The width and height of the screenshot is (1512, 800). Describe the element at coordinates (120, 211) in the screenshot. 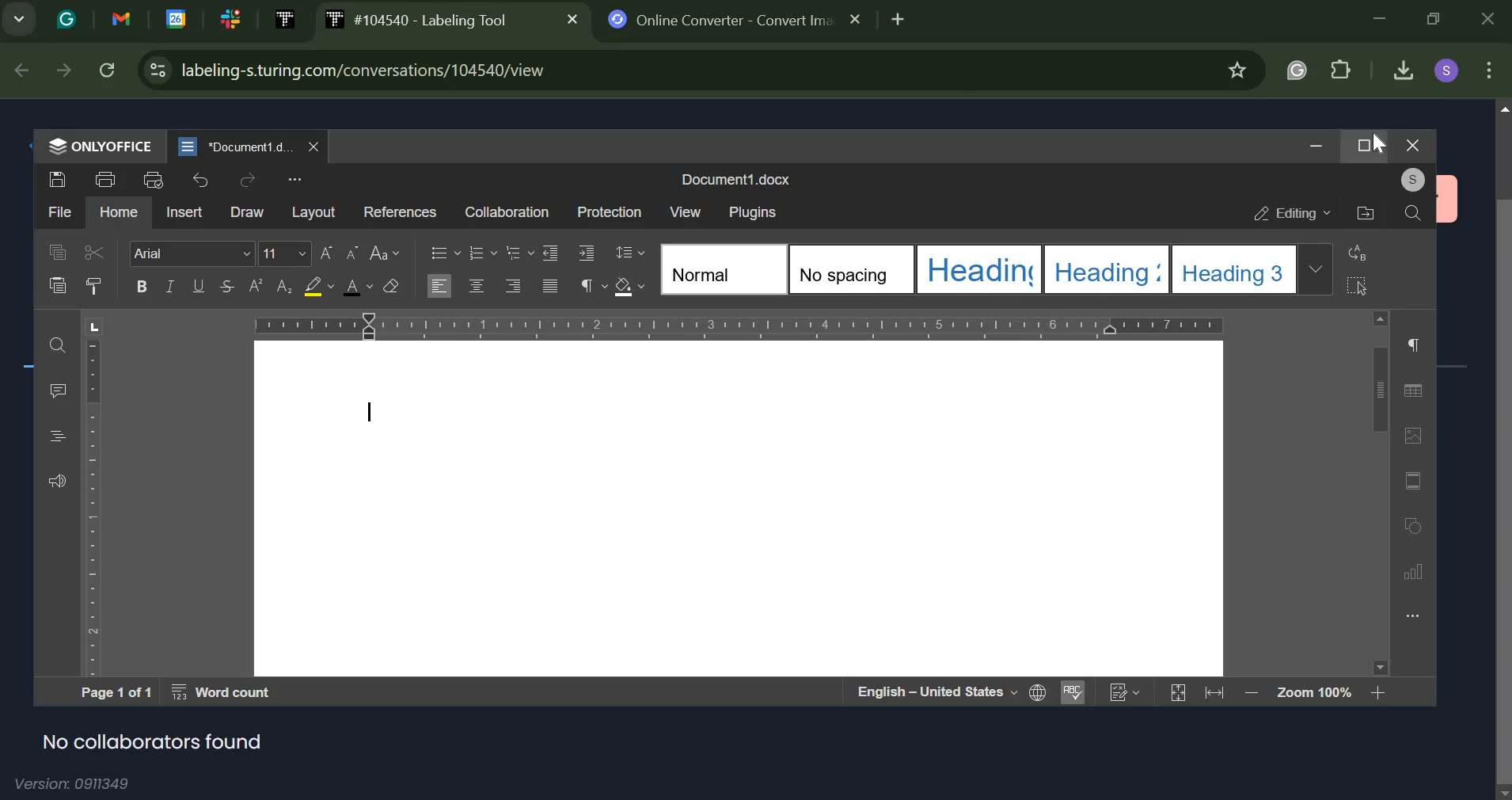

I see `home` at that location.